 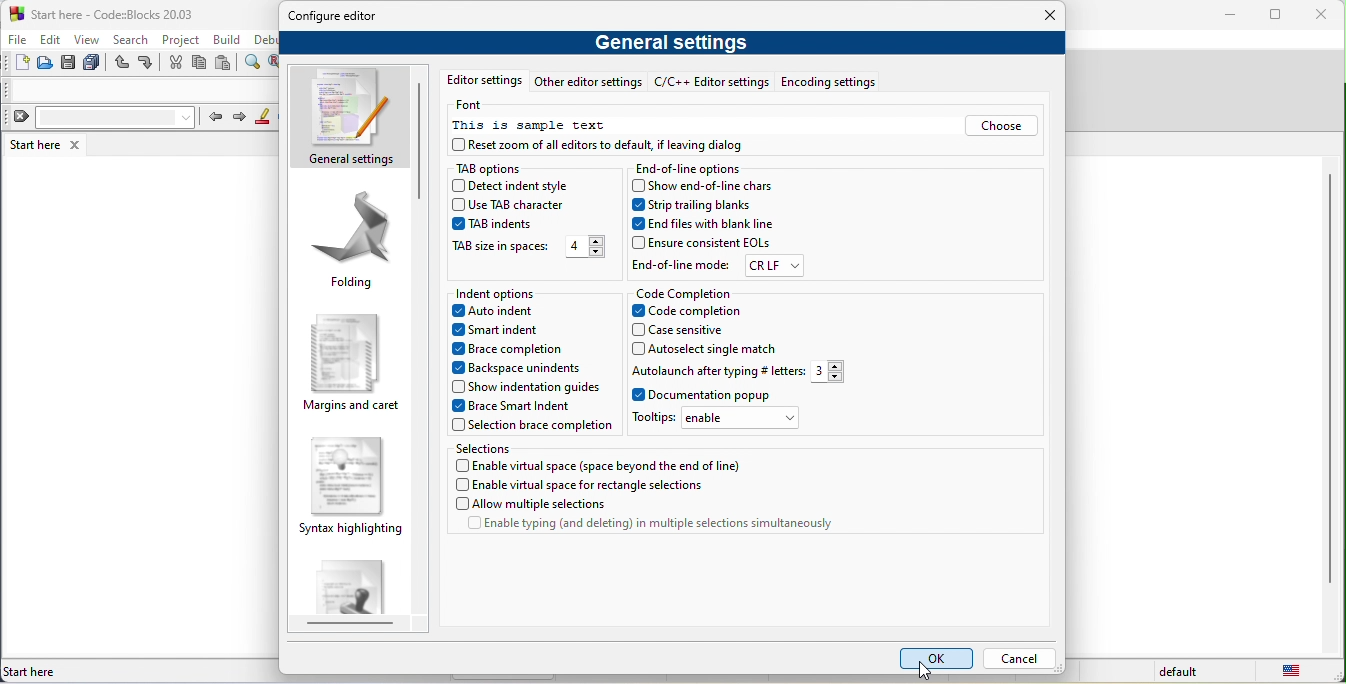 I want to click on code completion, so click(x=700, y=311).